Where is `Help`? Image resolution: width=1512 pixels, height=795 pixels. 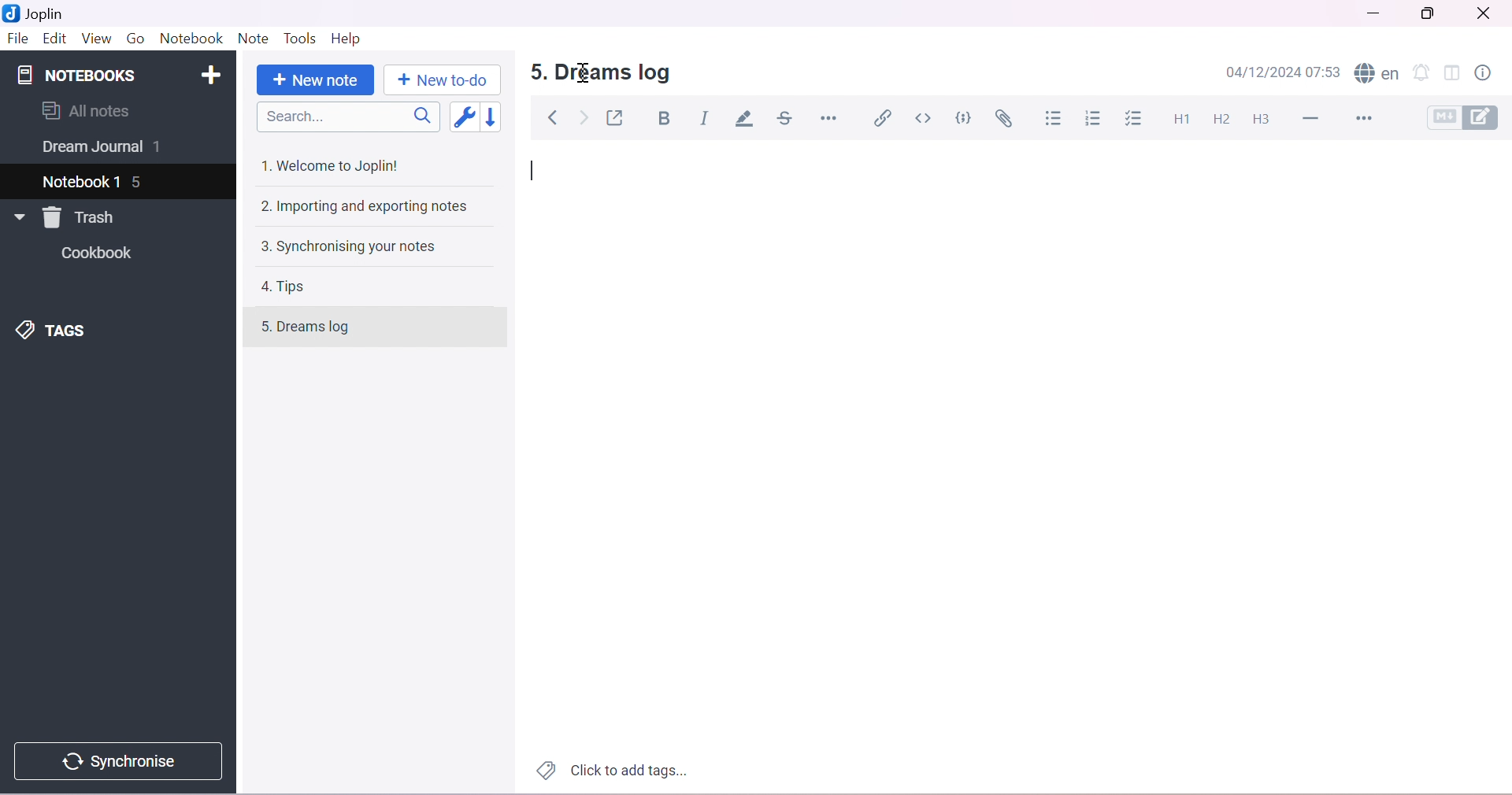 Help is located at coordinates (346, 37).